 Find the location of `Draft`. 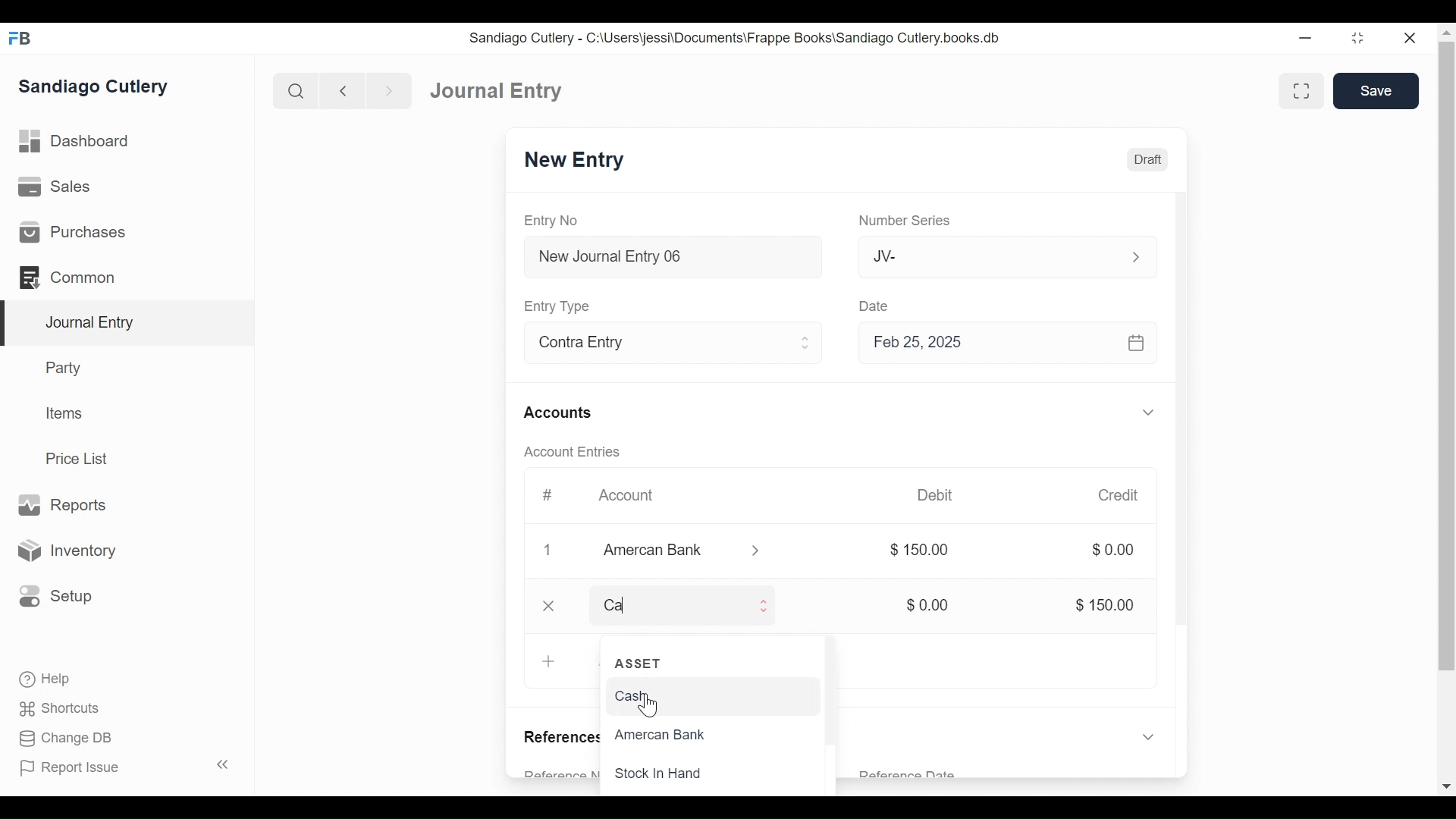

Draft is located at coordinates (1149, 160).